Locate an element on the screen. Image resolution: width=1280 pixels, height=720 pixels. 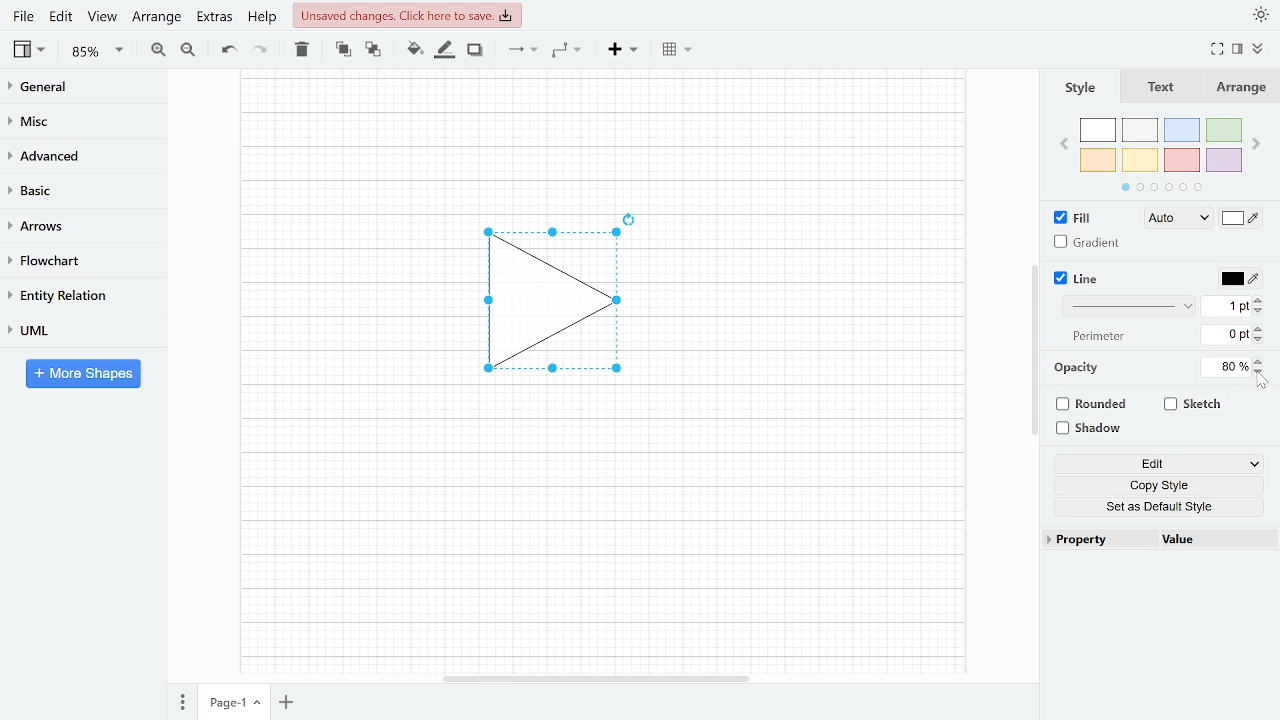
Shadow is located at coordinates (1096, 429).